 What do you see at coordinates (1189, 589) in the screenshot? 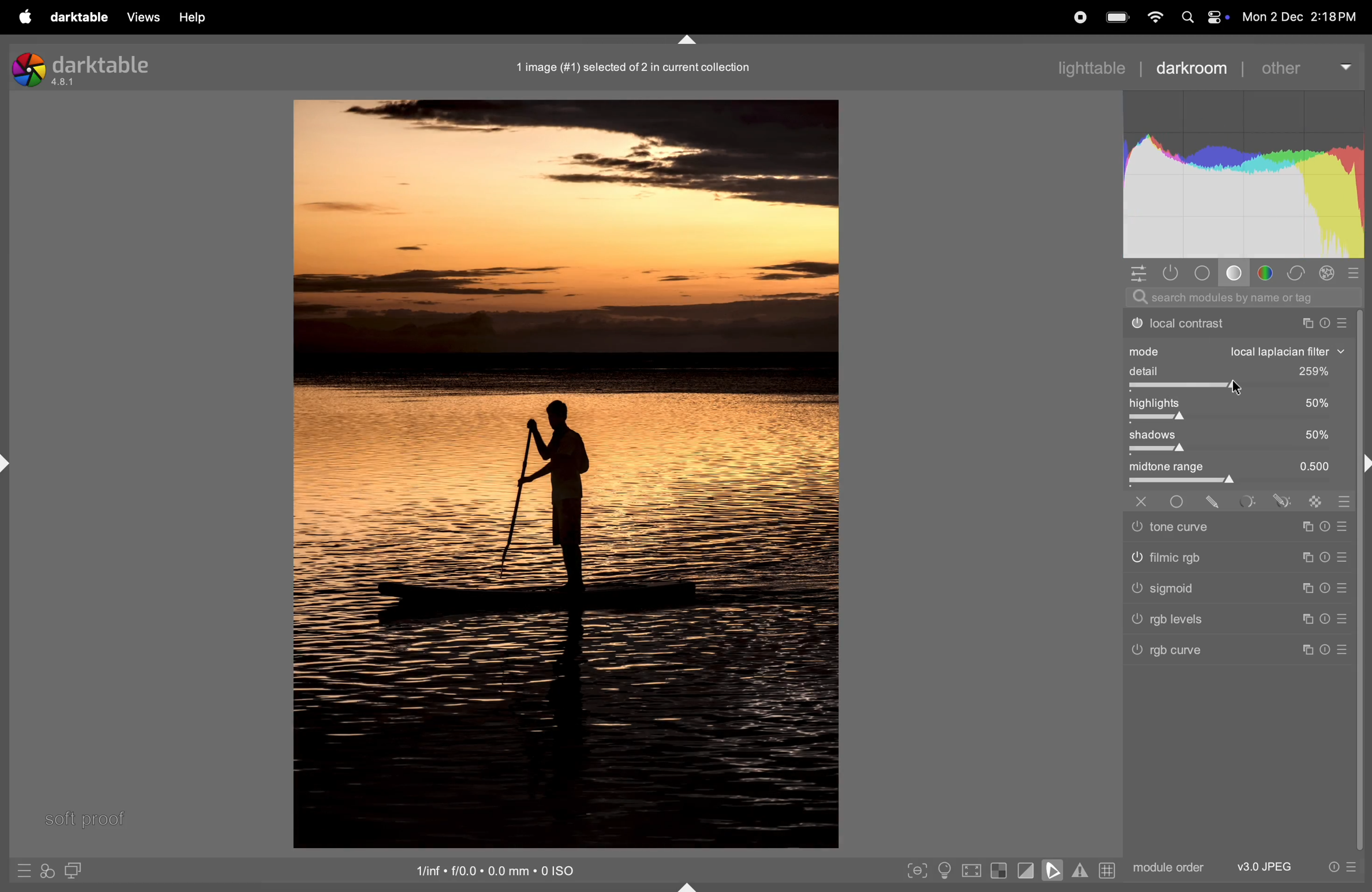
I see `` at bounding box center [1189, 589].